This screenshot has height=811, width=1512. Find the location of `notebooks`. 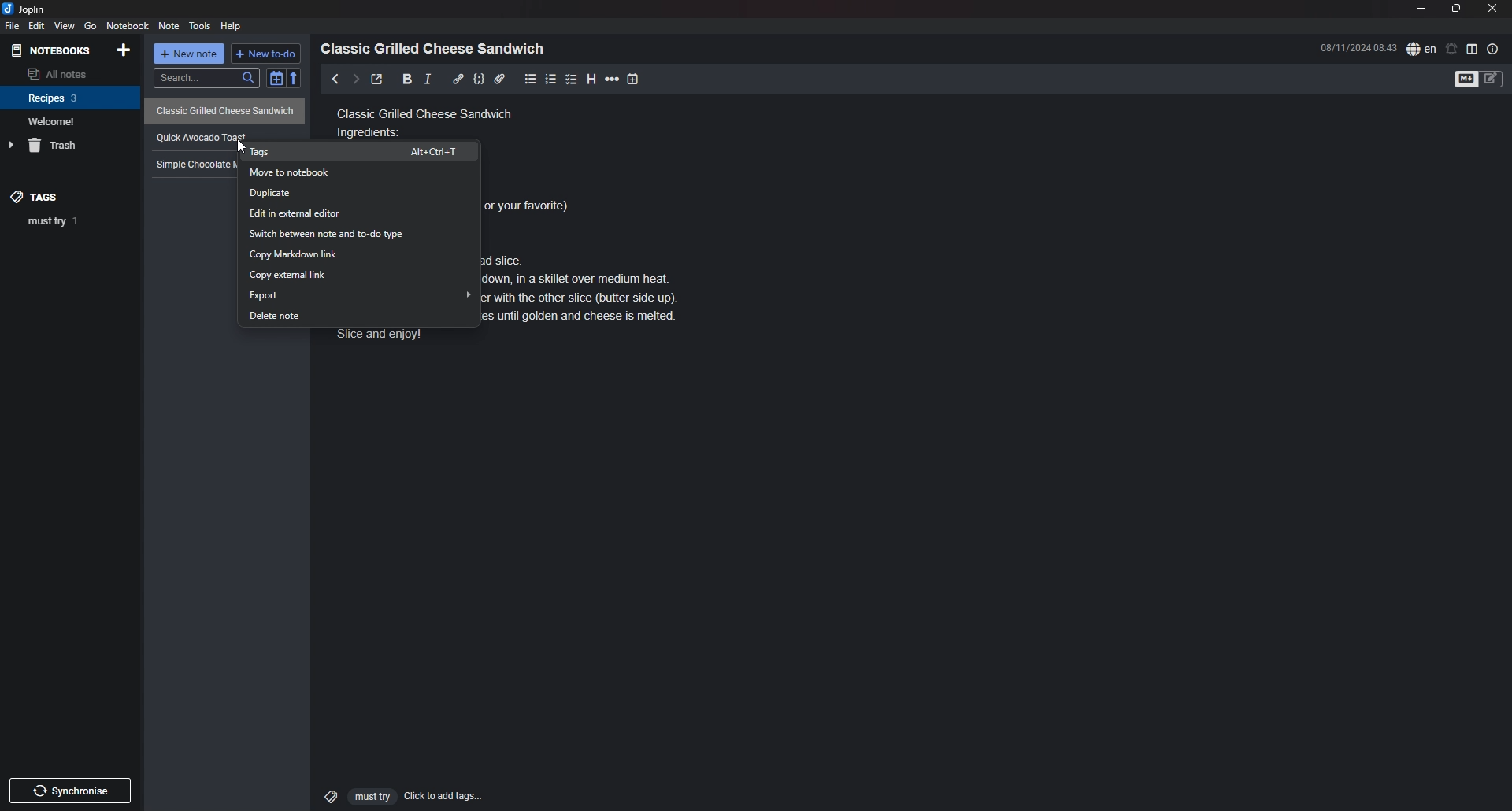

notebooks is located at coordinates (53, 50).